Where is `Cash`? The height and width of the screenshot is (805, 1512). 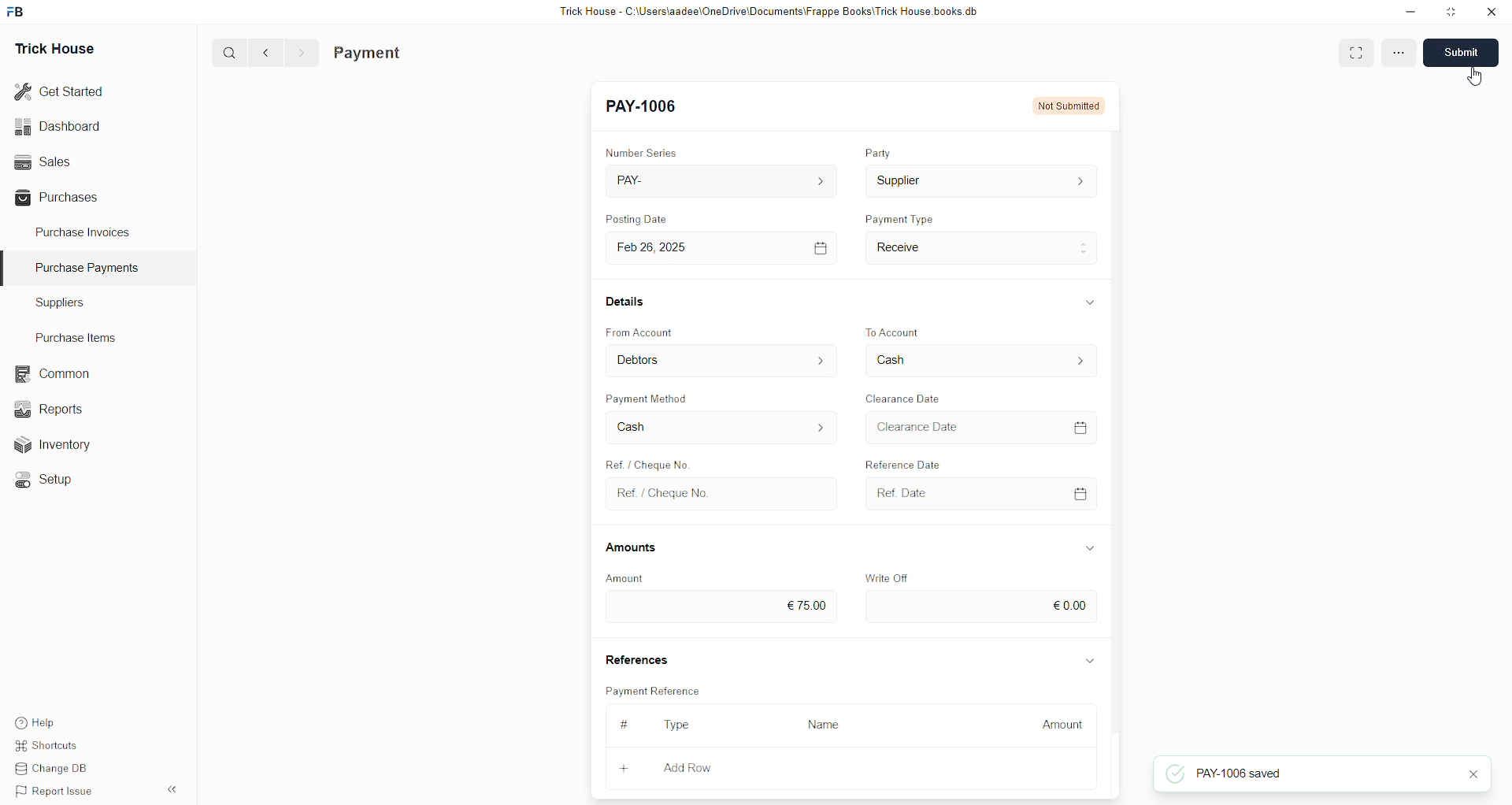 Cash is located at coordinates (978, 362).